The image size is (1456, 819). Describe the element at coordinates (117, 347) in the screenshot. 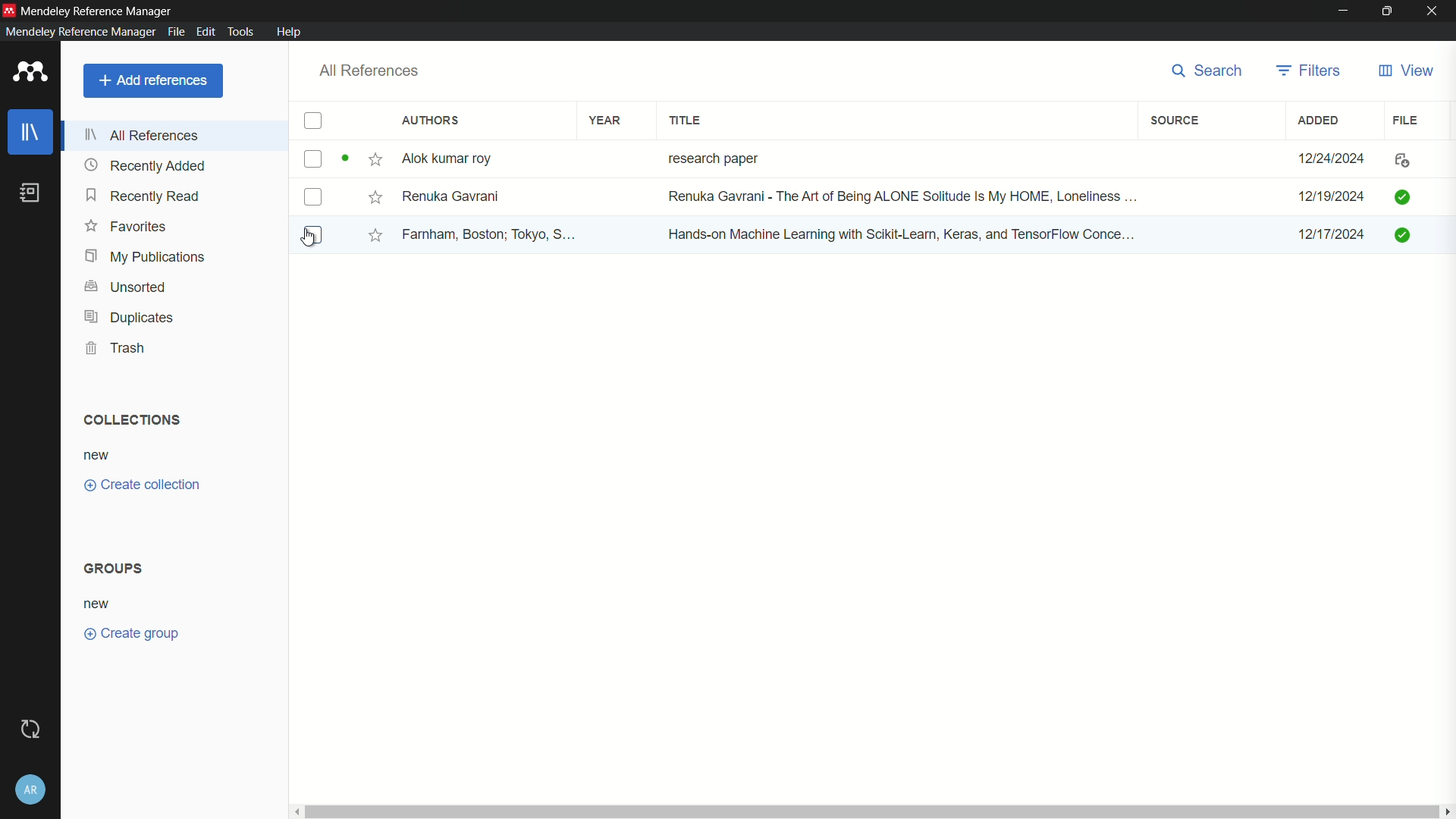

I see `trash` at that location.